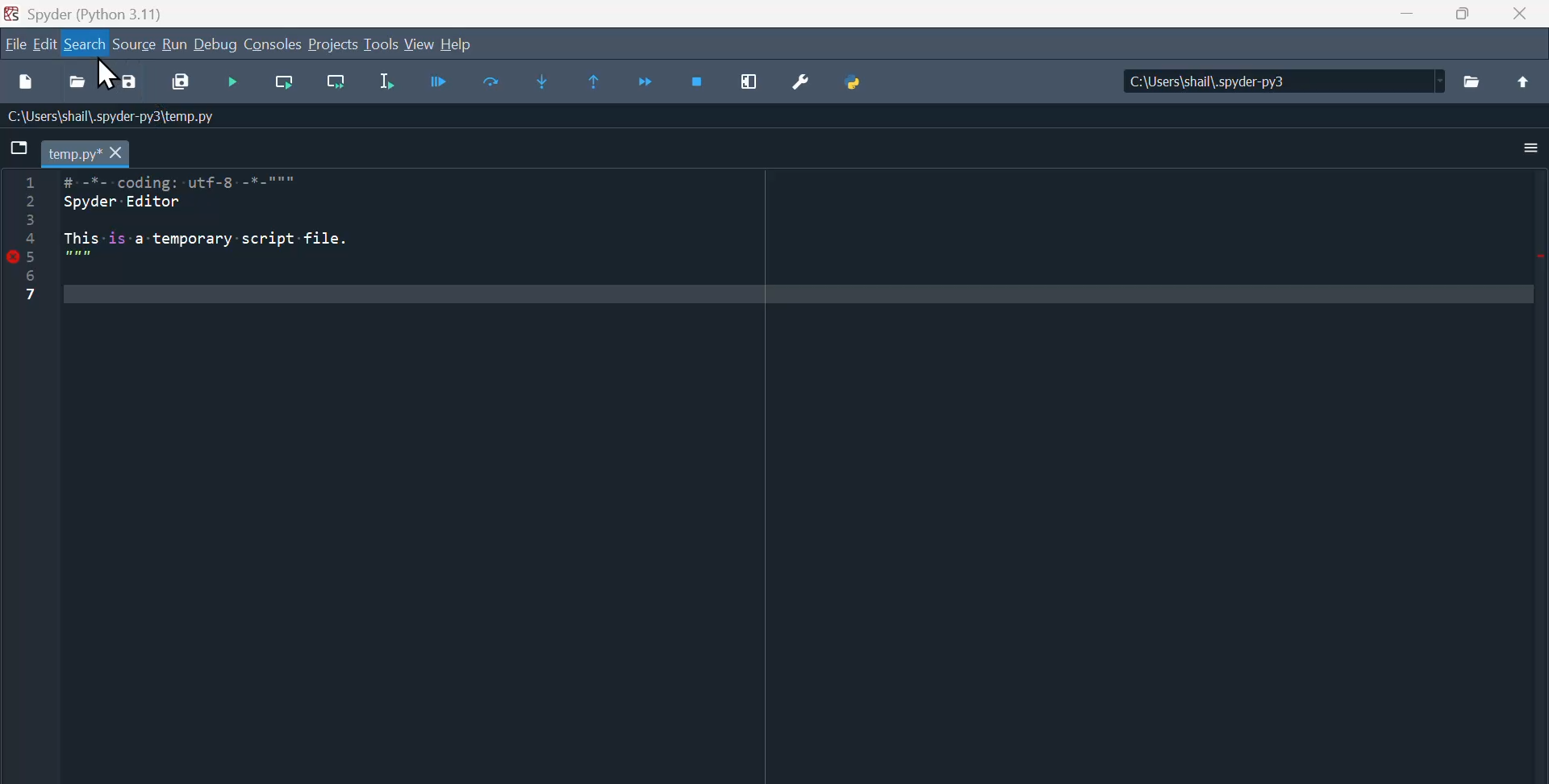 The width and height of the screenshot is (1549, 784). What do you see at coordinates (697, 84) in the screenshot?
I see `Stop debugging` at bounding box center [697, 84].